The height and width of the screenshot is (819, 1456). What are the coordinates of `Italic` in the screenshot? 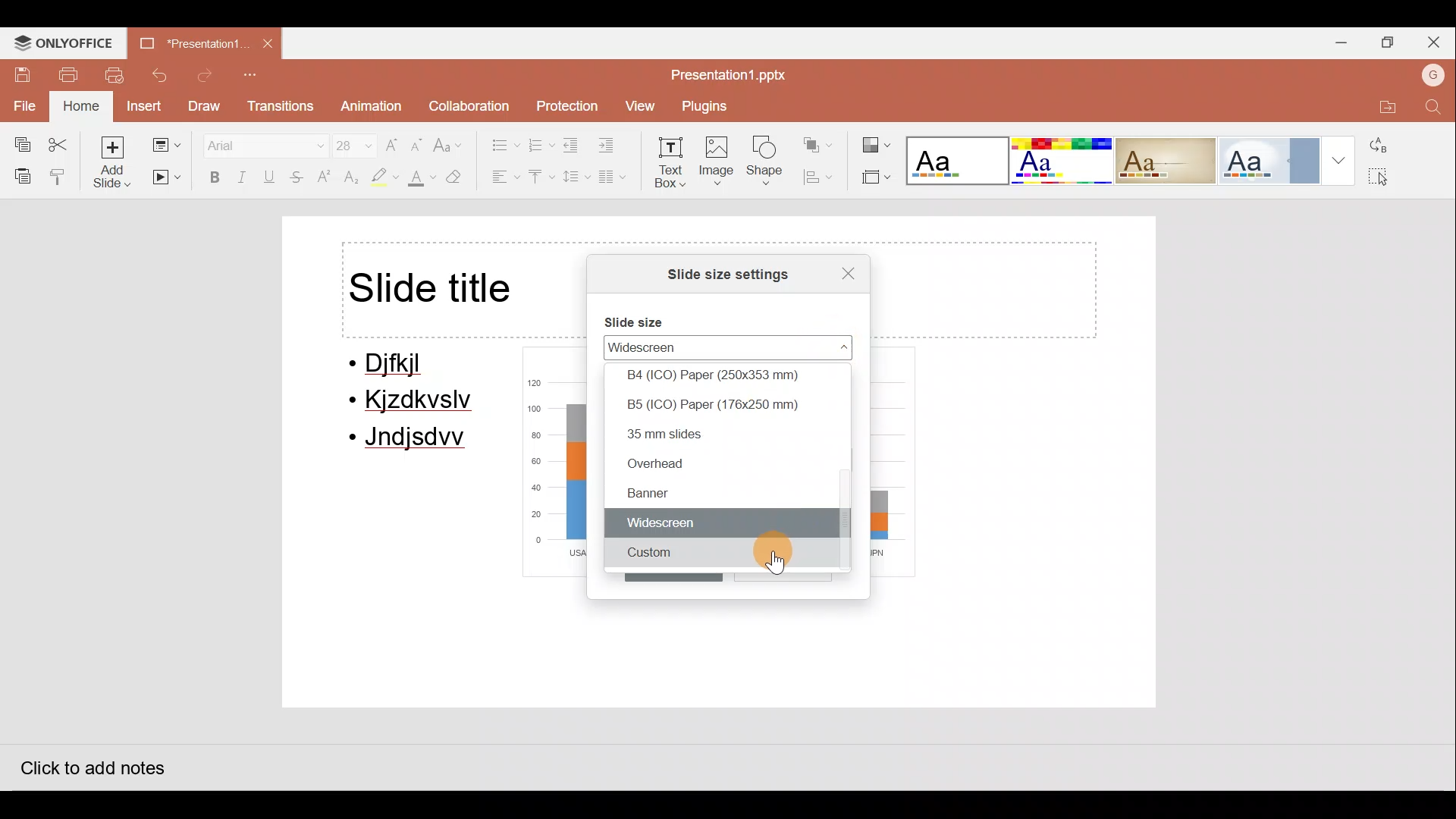 It's located at (243, 176).